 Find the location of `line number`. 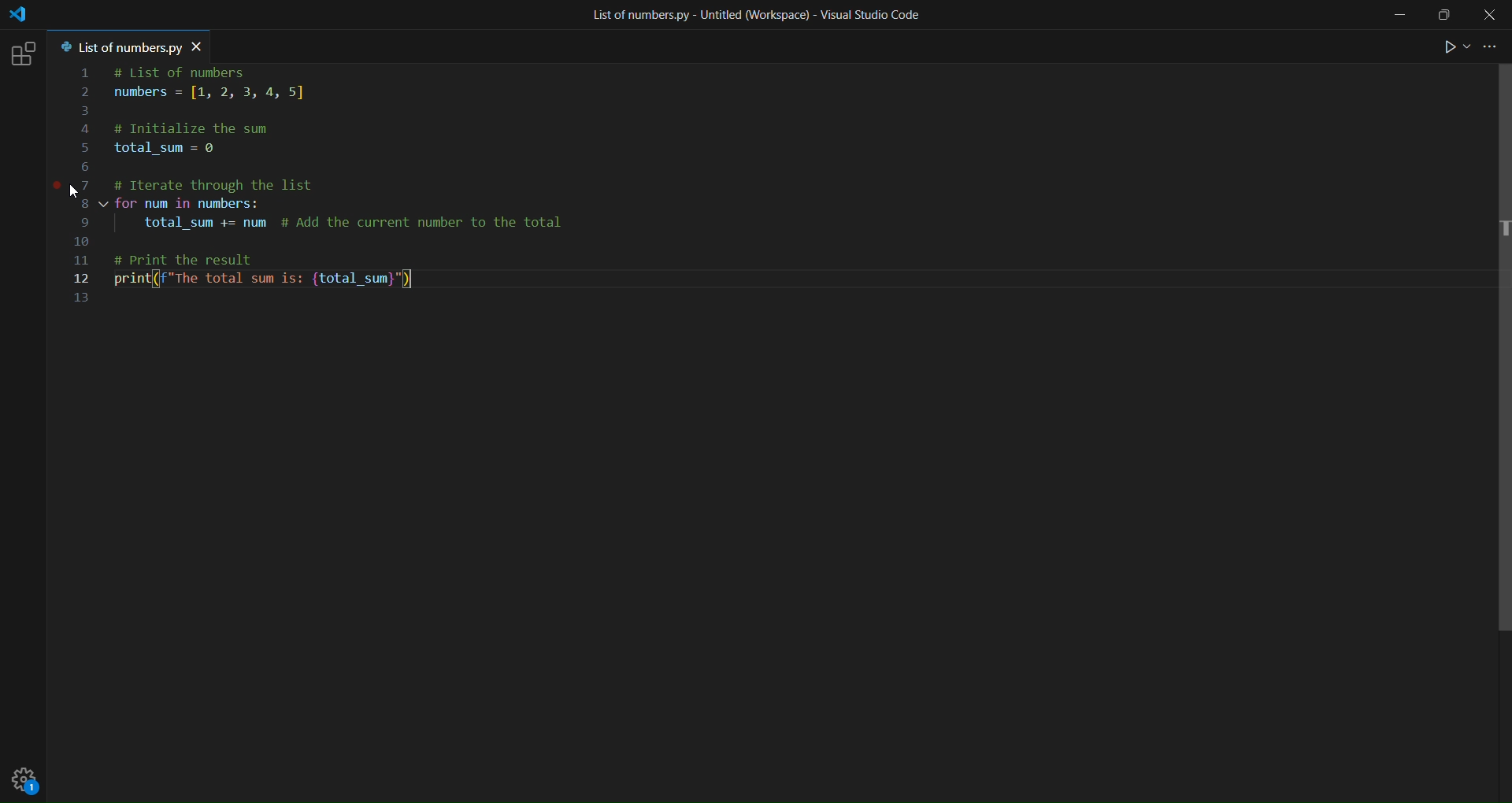

line number is located at coordinates (90, 188).